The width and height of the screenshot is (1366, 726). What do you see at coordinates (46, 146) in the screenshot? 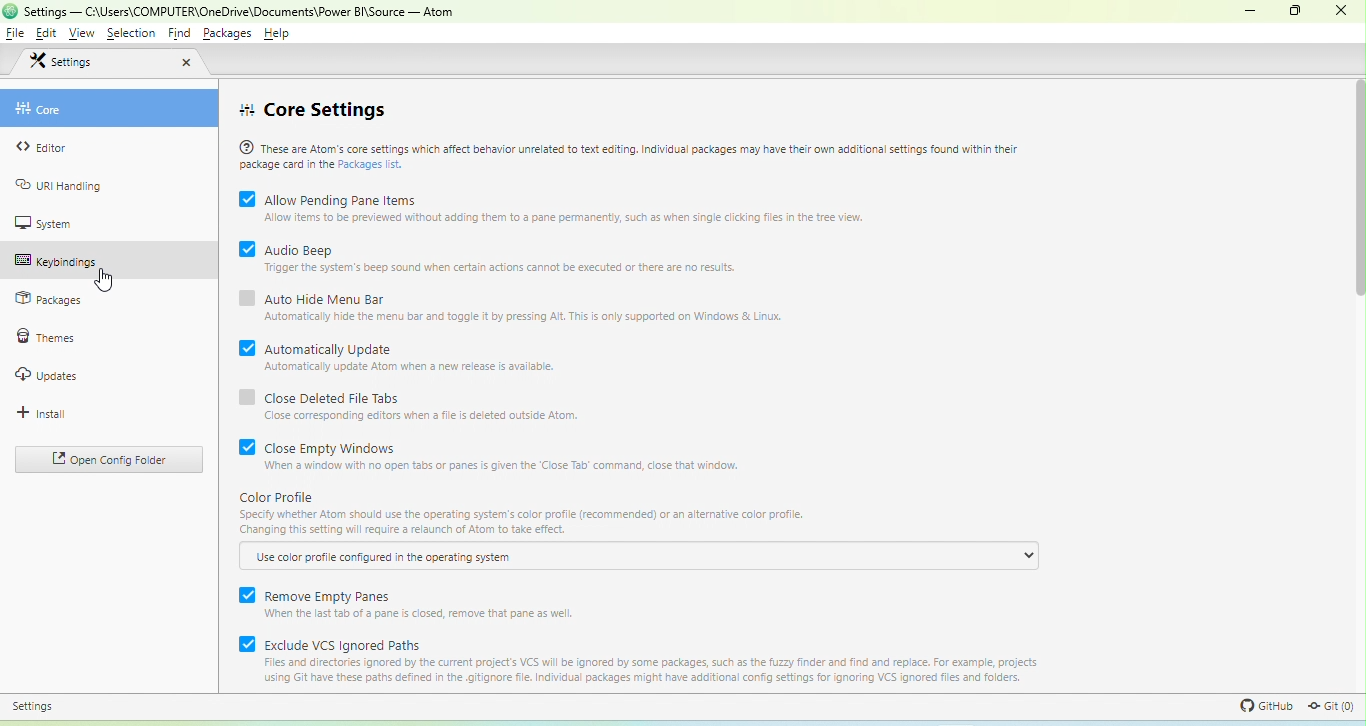
I see `editor` at bounding box center [46, 146].